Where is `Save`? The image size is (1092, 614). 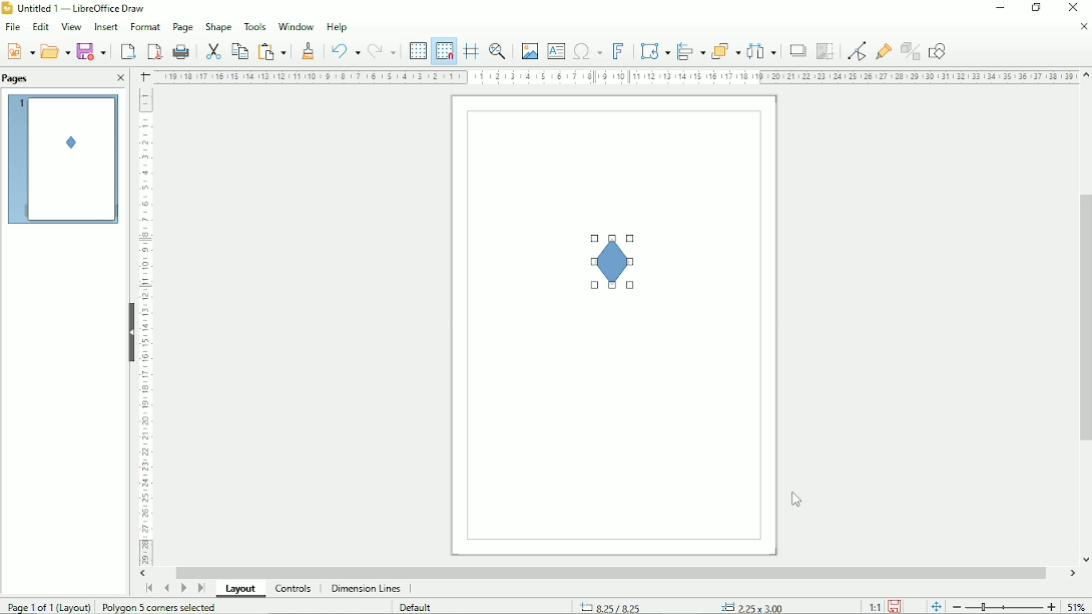
Save is located at coordinates (91, 51).